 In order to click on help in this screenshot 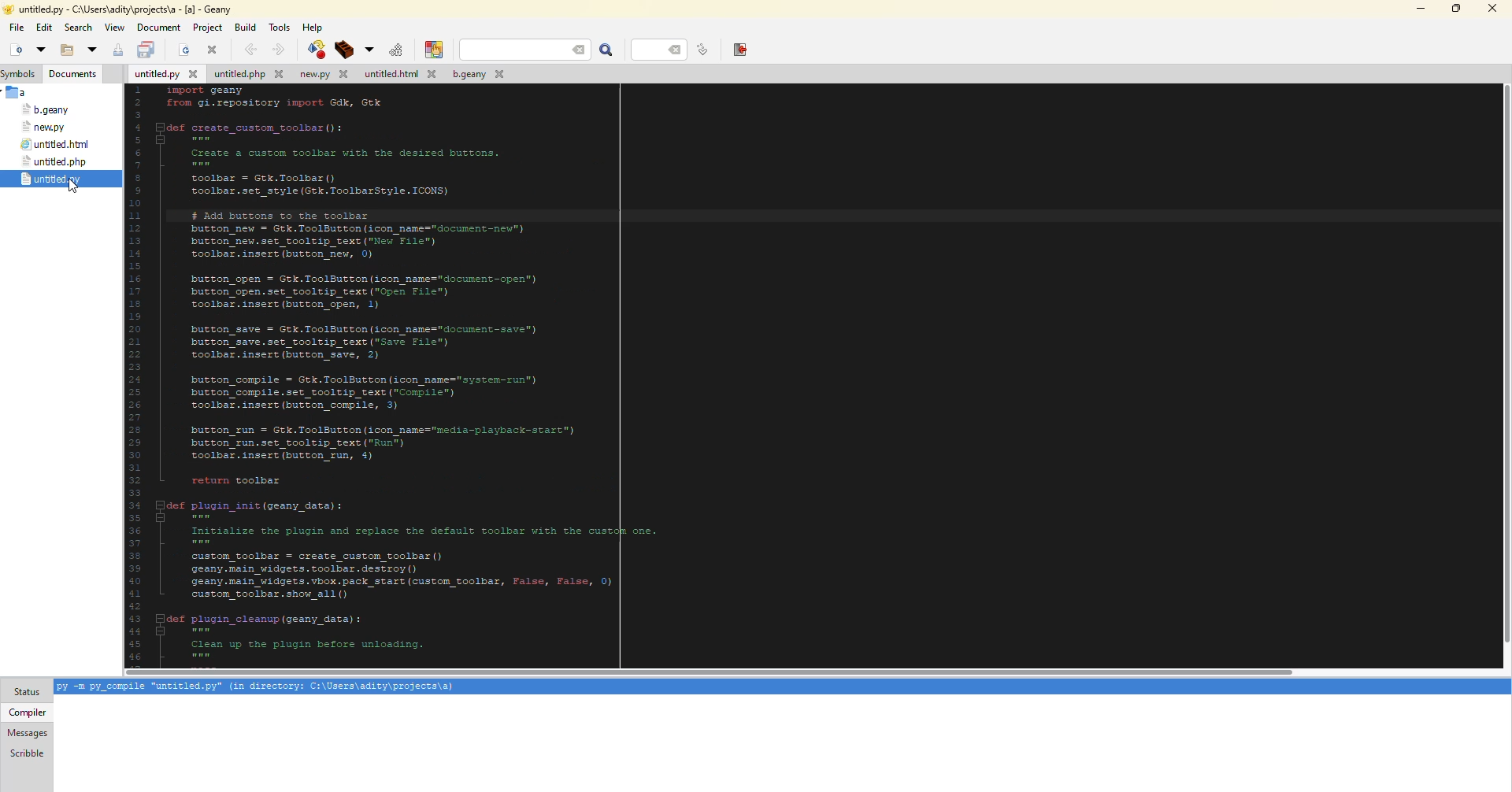, I will do `click(314, 27)`.